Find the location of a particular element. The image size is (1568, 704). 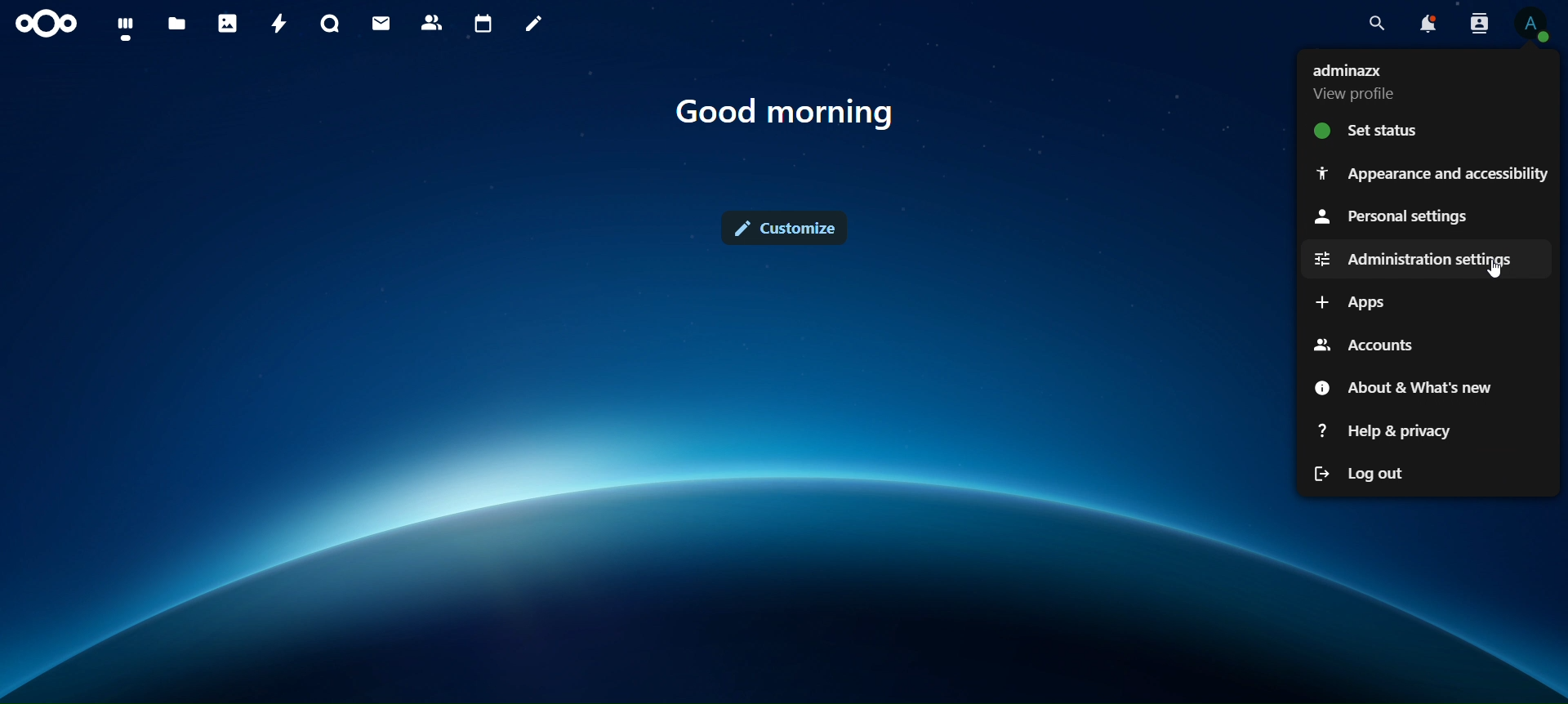

log out is located at coordinates (1373, 471).